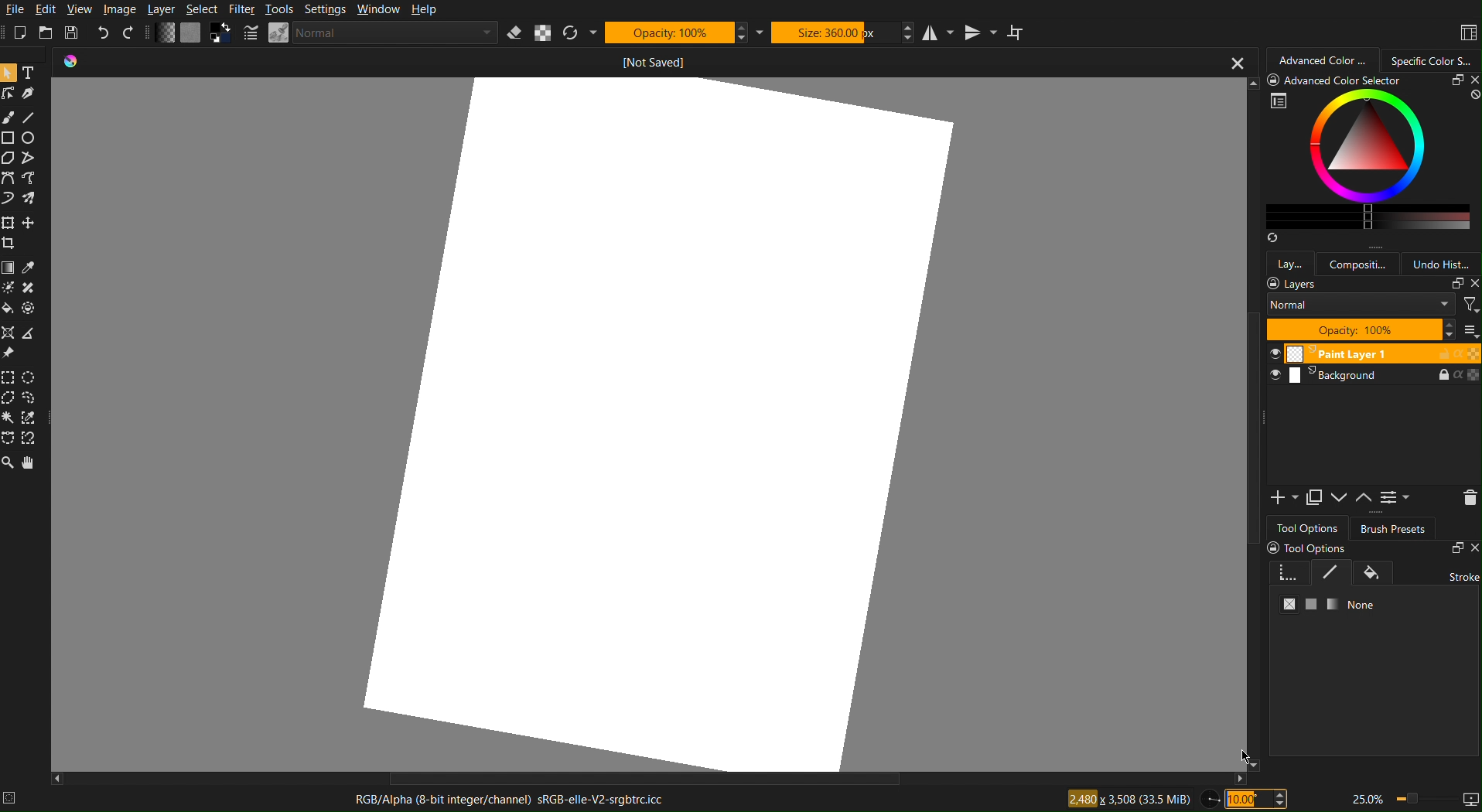 This screenshot has height=812, width=1482. What do you see at coordinates (834, 32) in the screenshot?
I see `Size` at bounding box center [834, 32].